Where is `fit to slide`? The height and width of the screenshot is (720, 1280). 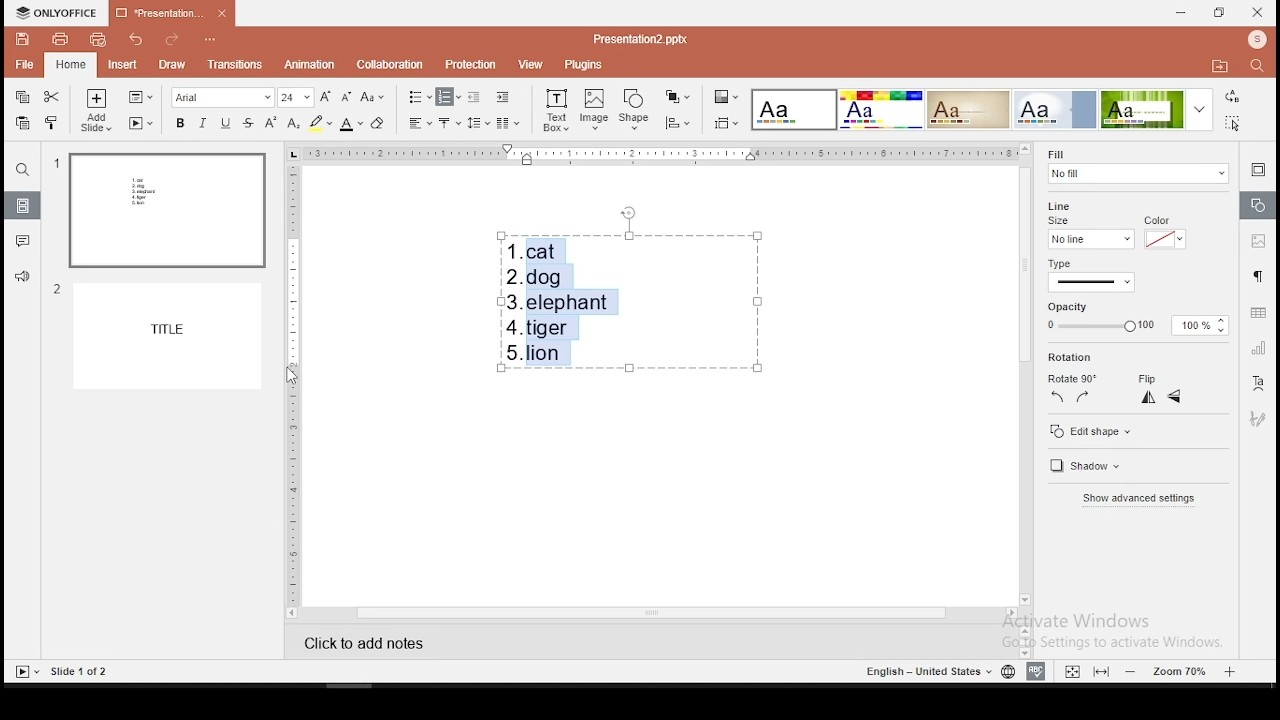
fit to slide is located at coordinates (1100, 671).